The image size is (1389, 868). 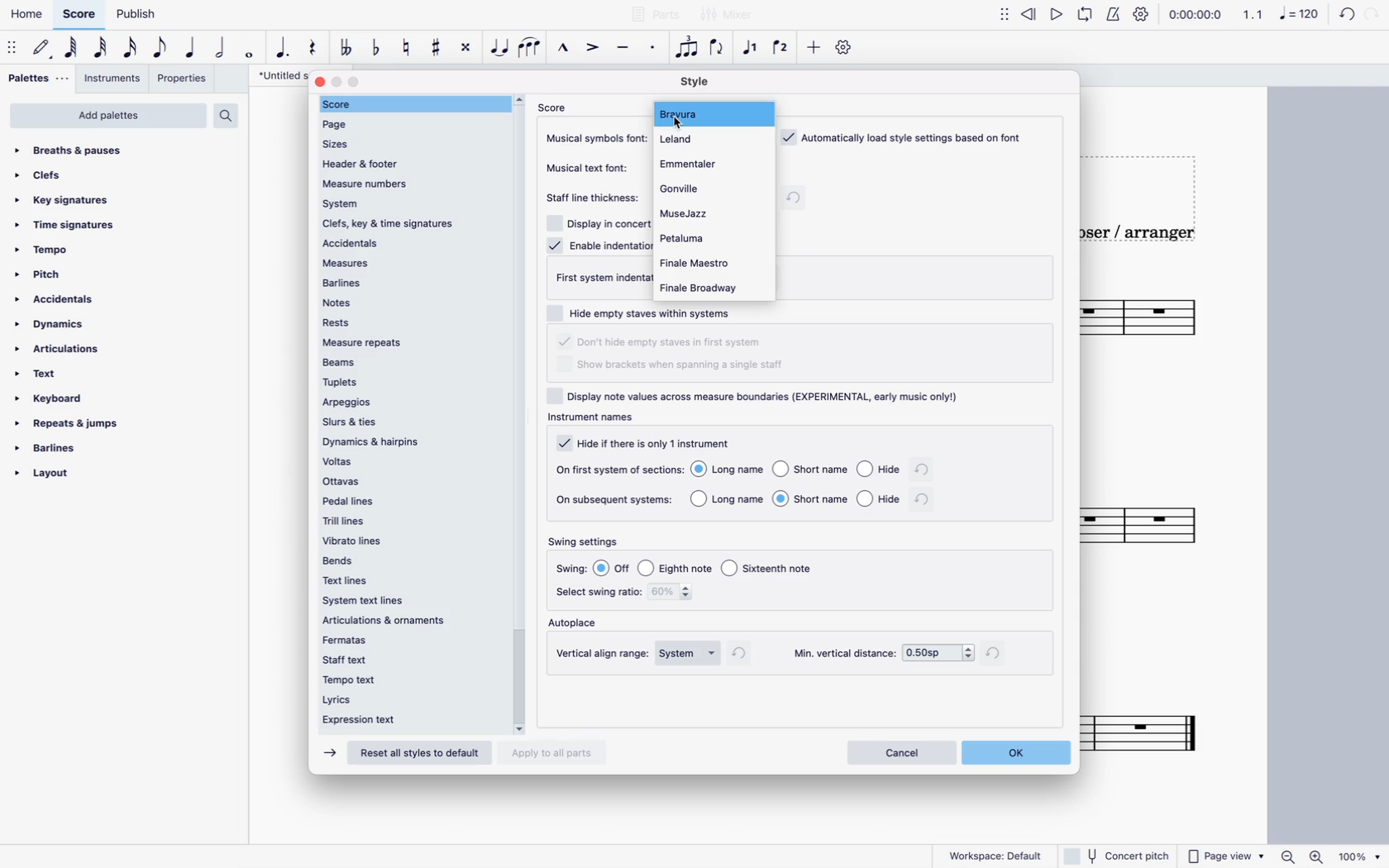 I want to click on articulations & ornaments, so click(x=408, y=621).